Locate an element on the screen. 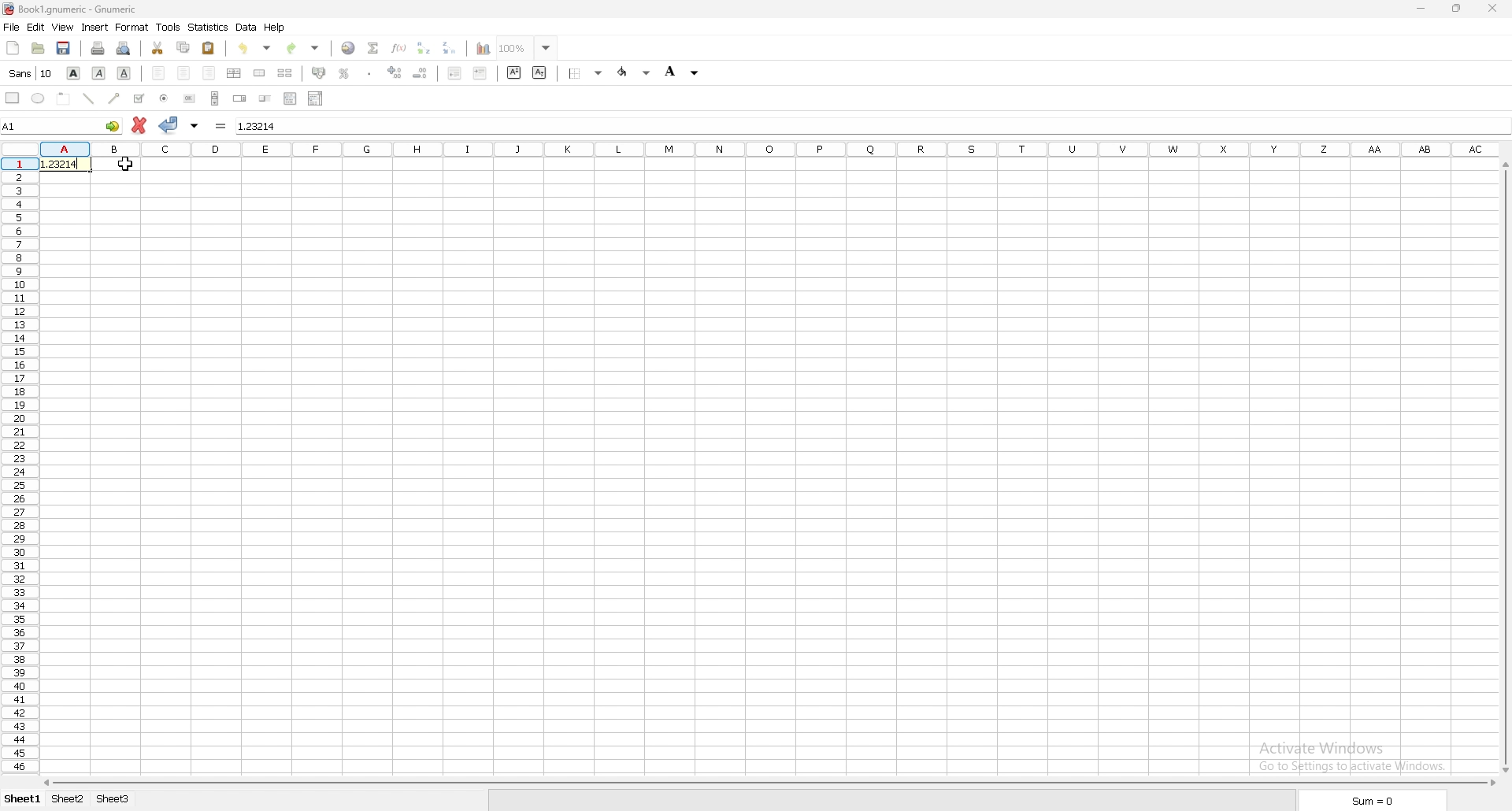  centre is located at coordinates (183, 72).